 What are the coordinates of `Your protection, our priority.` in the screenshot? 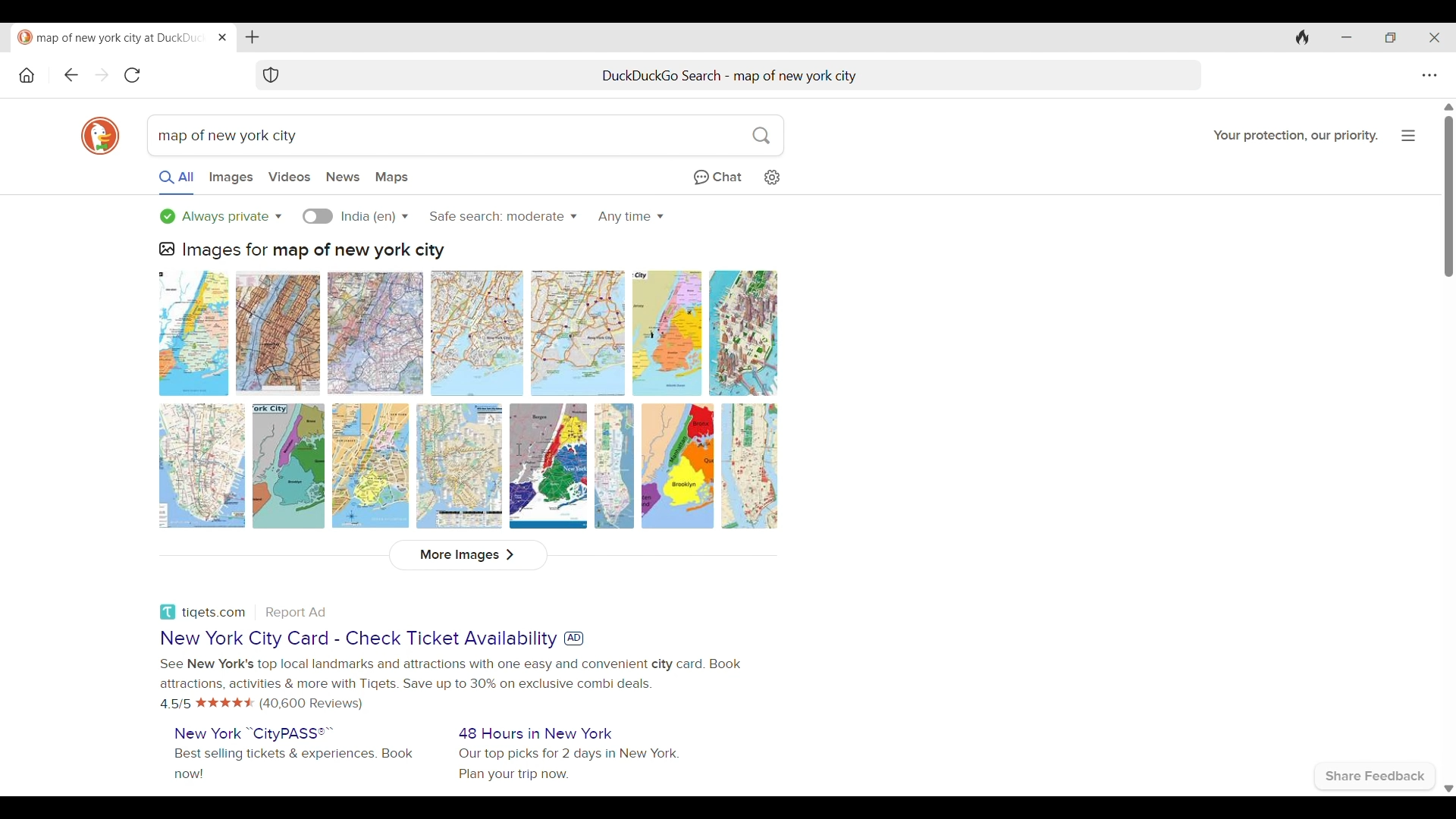 It's located at (1296, 136).